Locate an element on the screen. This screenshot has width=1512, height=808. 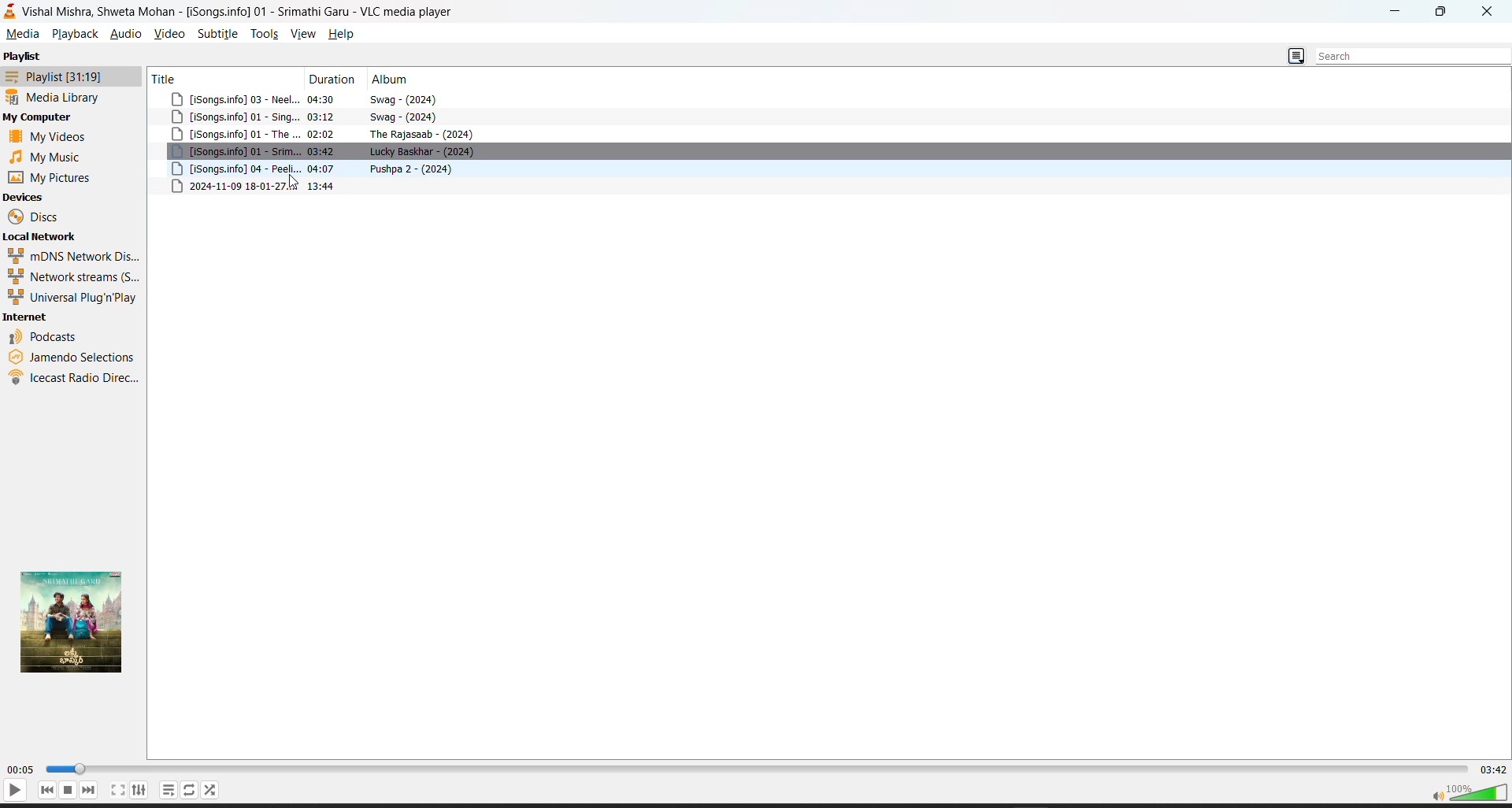
songs info 01-sing is located at coordinates (232, 117).